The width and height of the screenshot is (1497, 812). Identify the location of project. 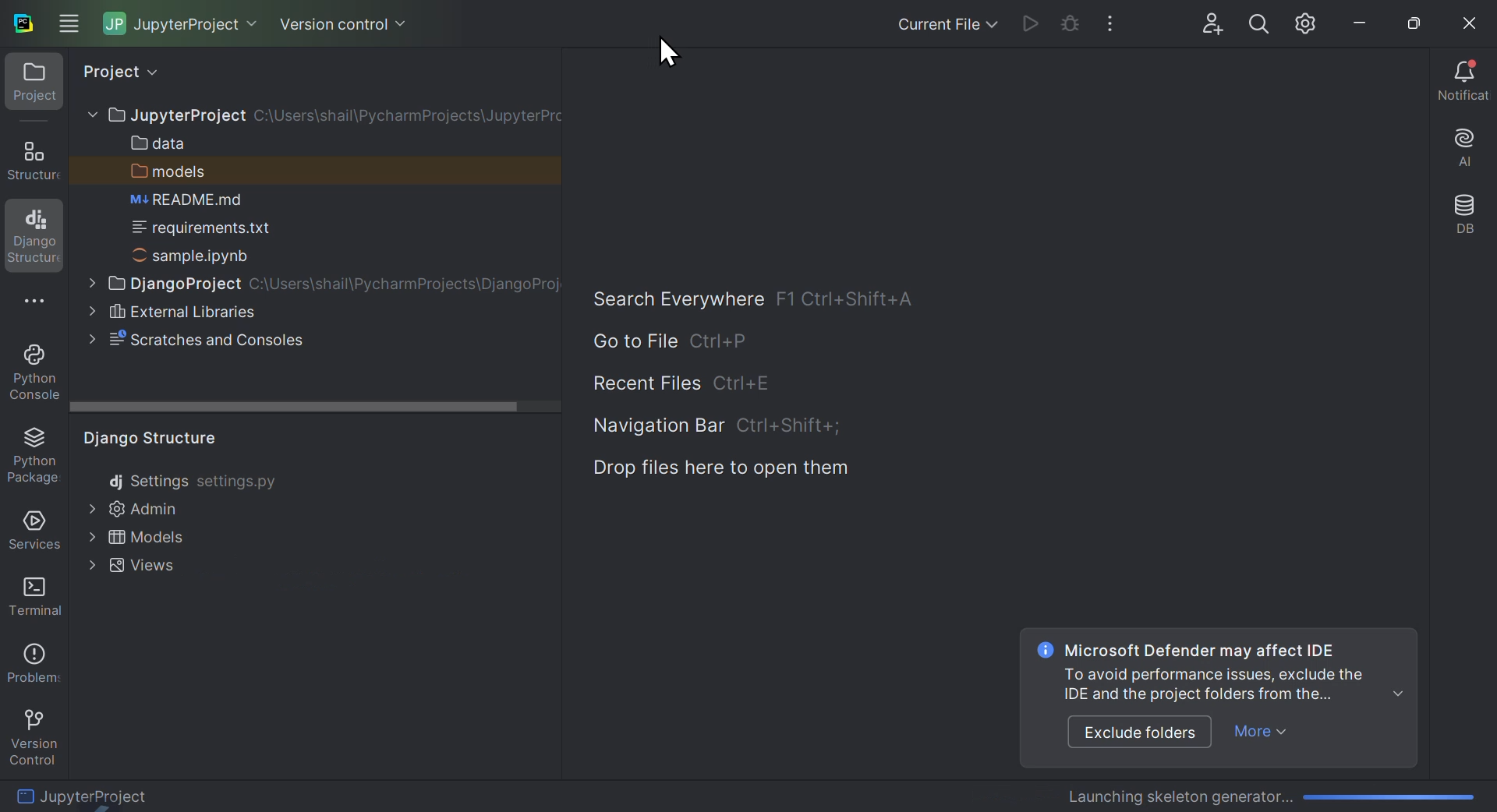
(154, 74).